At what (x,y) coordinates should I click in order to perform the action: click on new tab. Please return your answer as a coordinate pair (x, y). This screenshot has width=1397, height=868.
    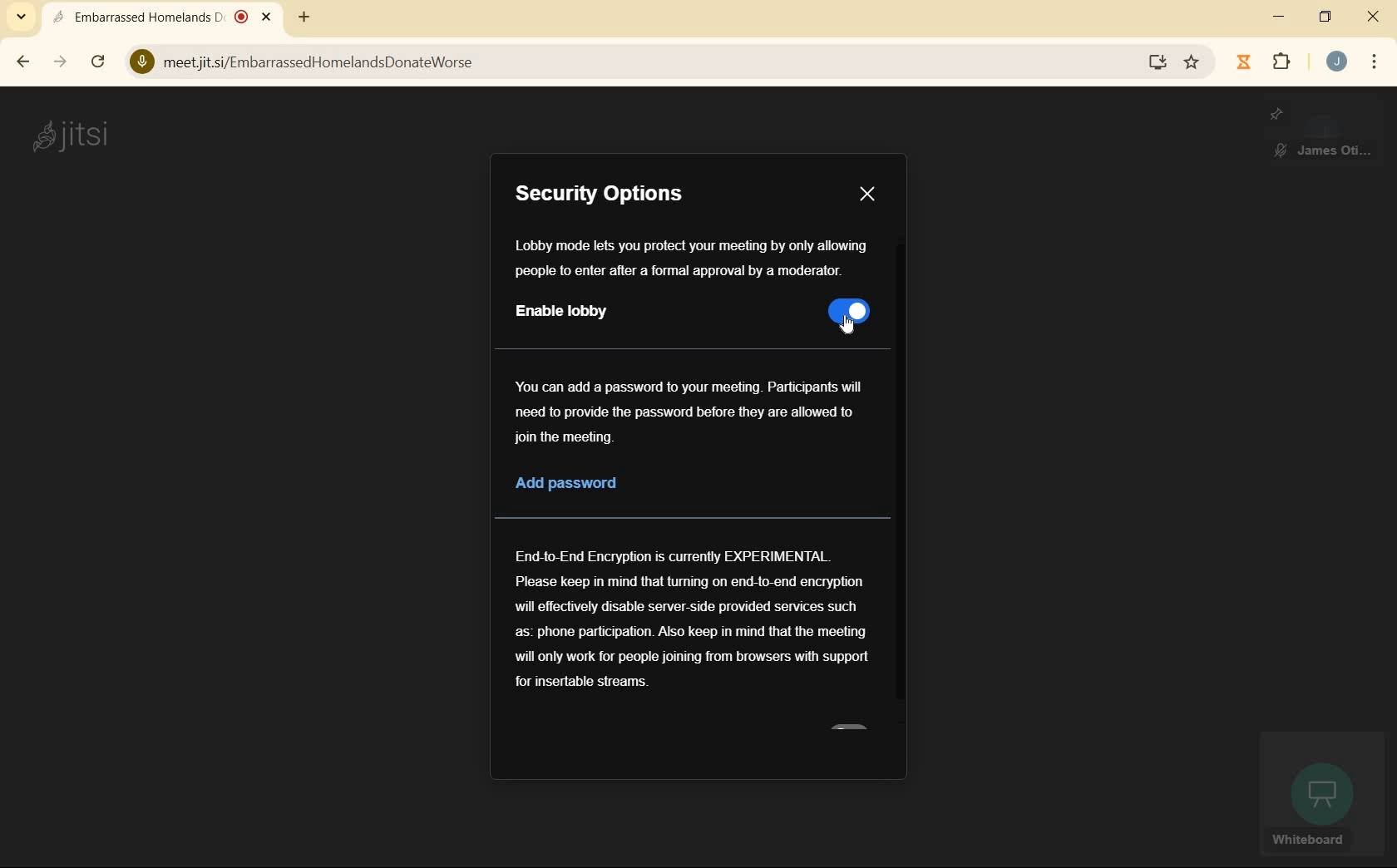
    Looking at the image, I should click on (303, 17).